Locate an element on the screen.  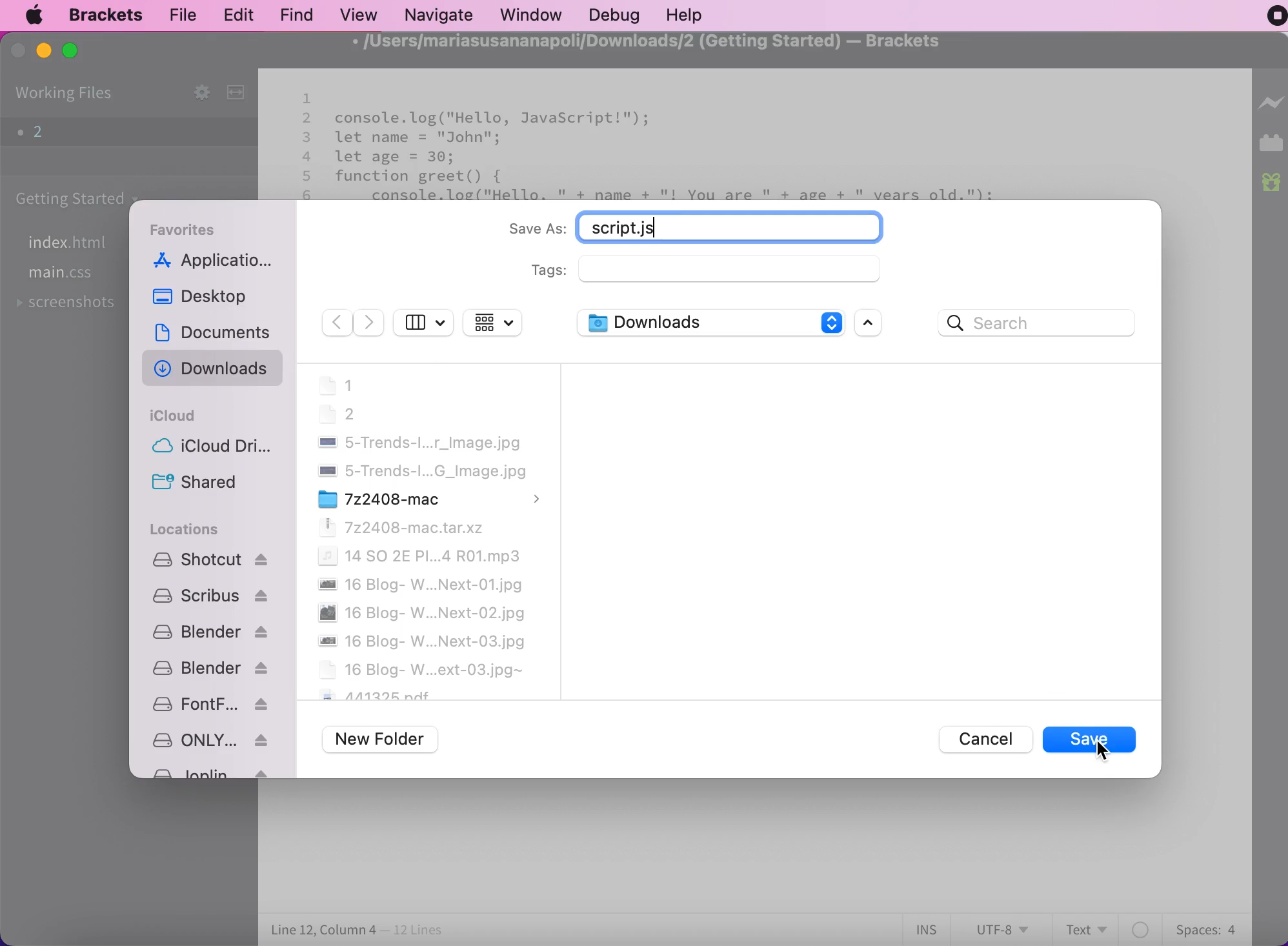
cursor is located at coordinates (1102, 750).